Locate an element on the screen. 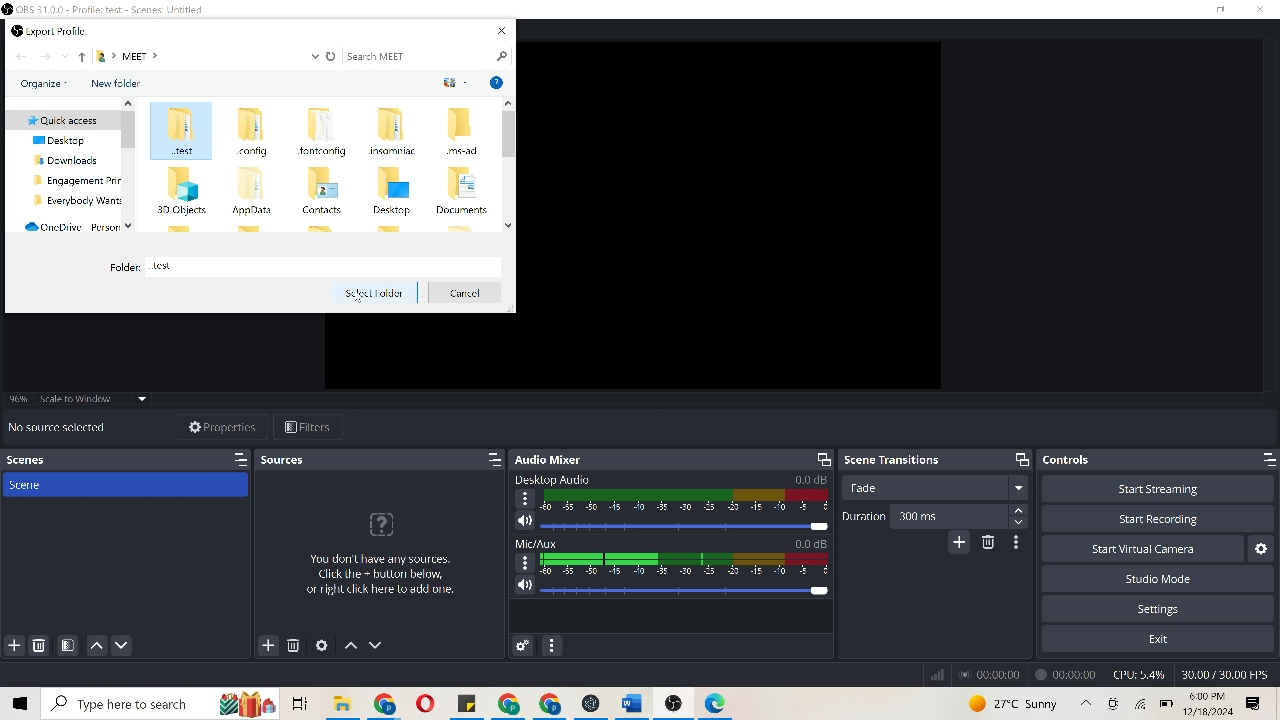 The width and height of the screenshot is (1280, 720). CPU 3.8% is located at coordinates (1142, 675).